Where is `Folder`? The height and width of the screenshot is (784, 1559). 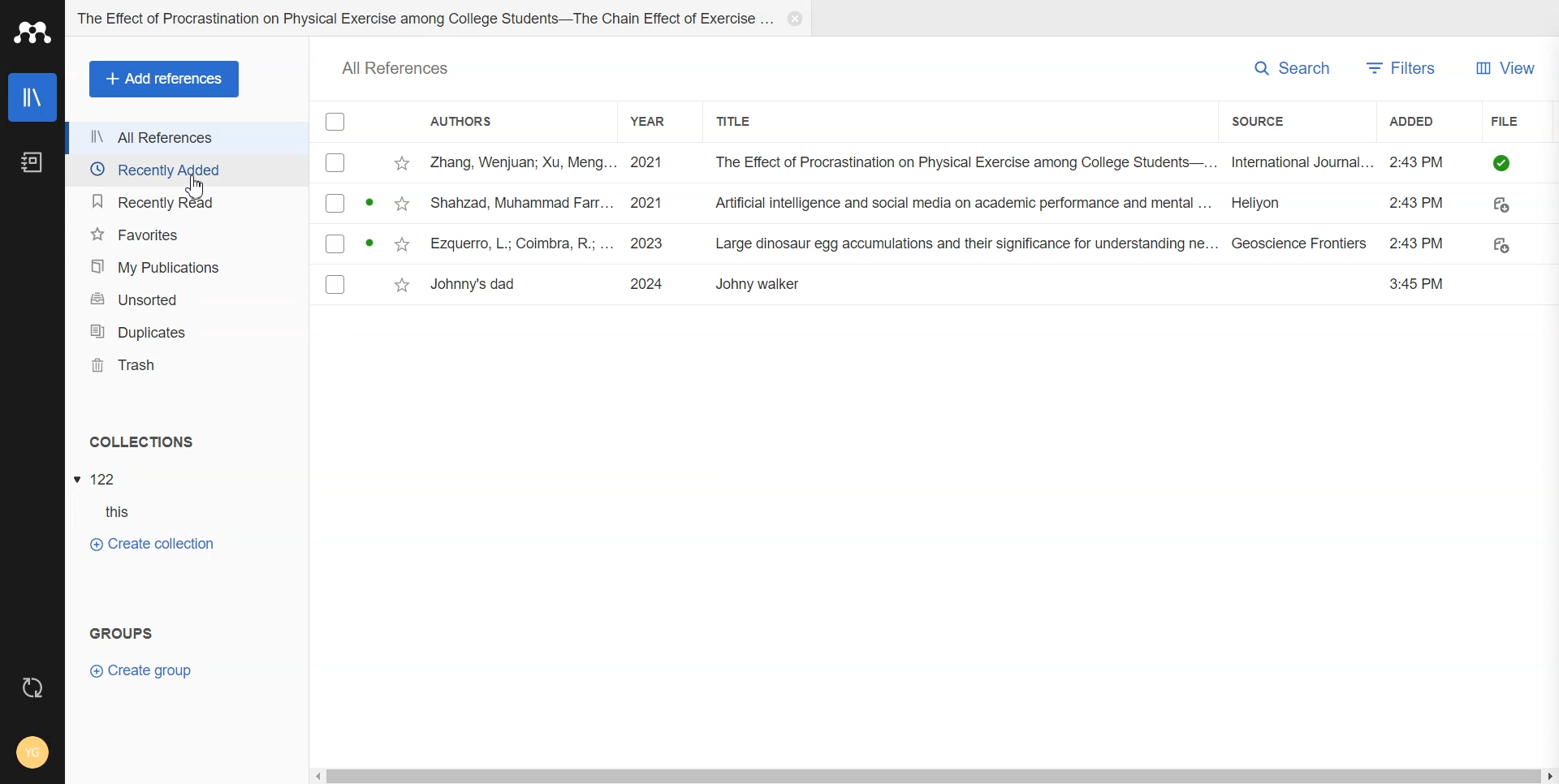
Folder is located at coordinates (100, 479).